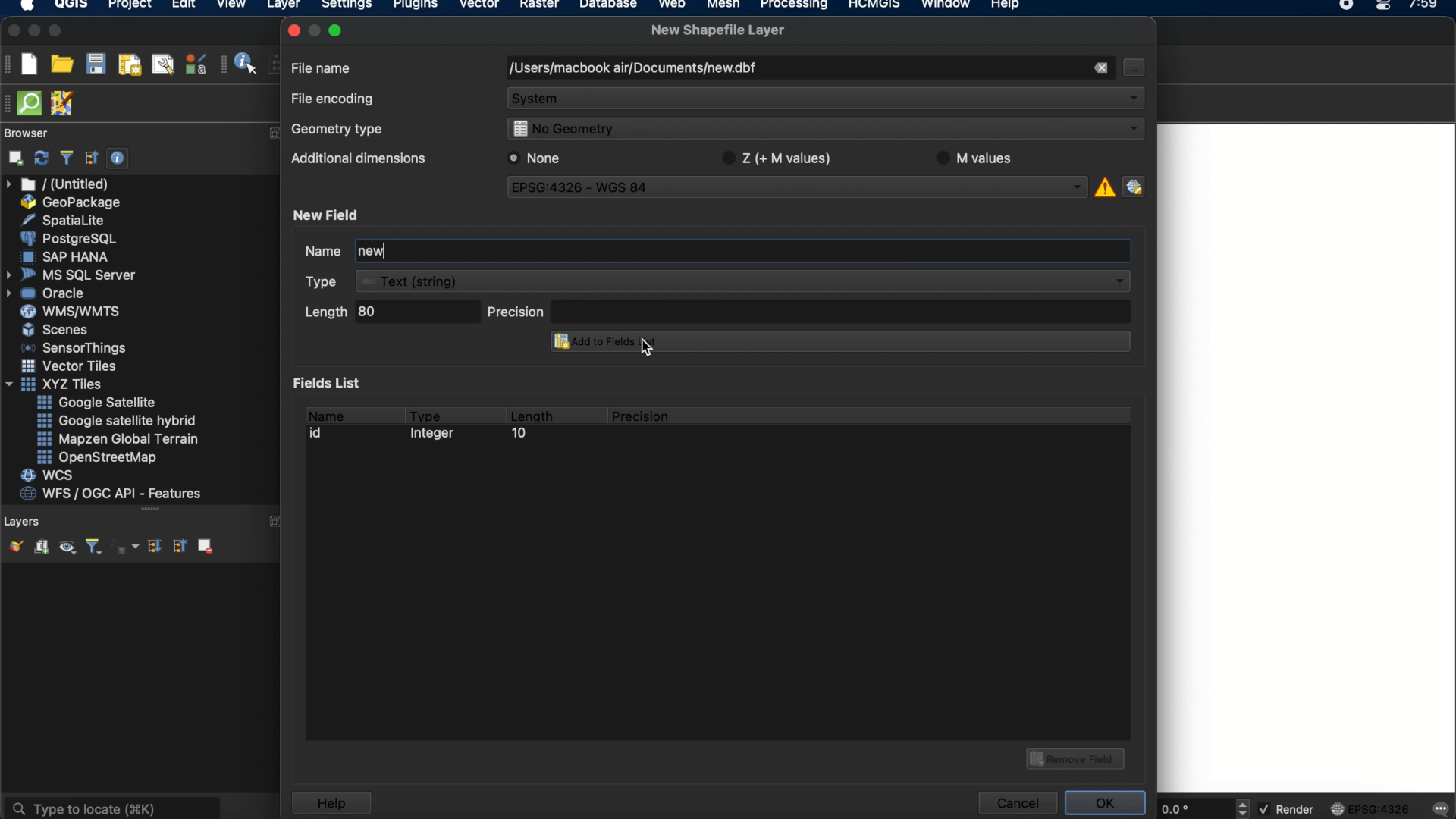 The height and width of the screenshot is (819, 1456). What do you see at coordinates (372, 252) in the screenshot?
I see `field name new` at bounding box center [372, 252].